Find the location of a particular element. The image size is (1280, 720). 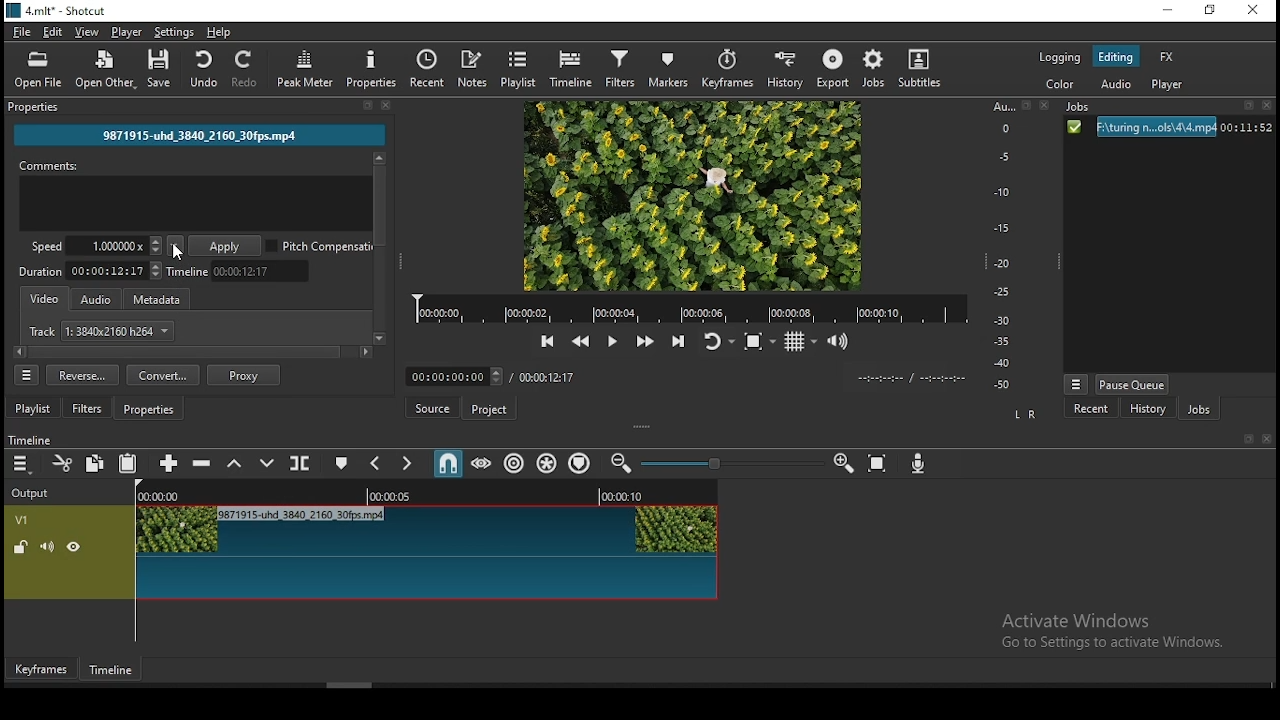

edit is located at coordinates (53, 33).